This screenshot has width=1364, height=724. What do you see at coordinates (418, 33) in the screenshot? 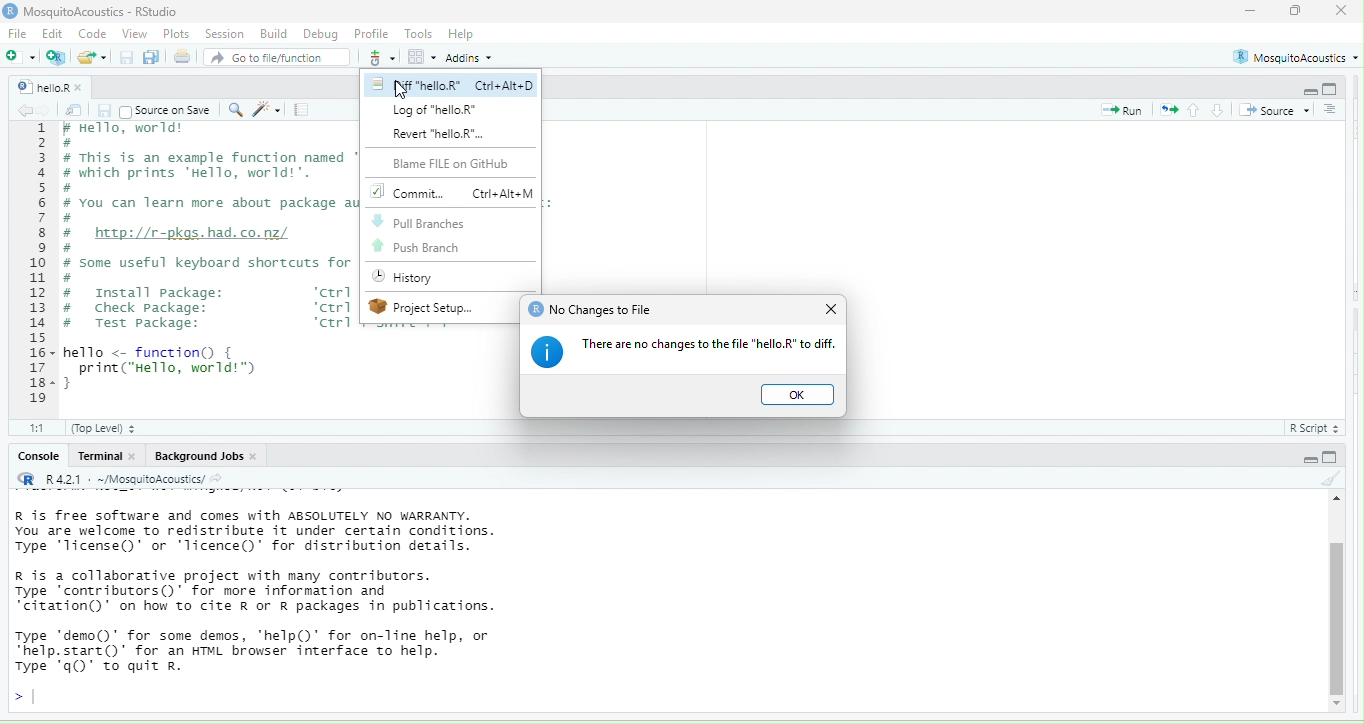
I see `Tools` at bounding box center [418, 33].